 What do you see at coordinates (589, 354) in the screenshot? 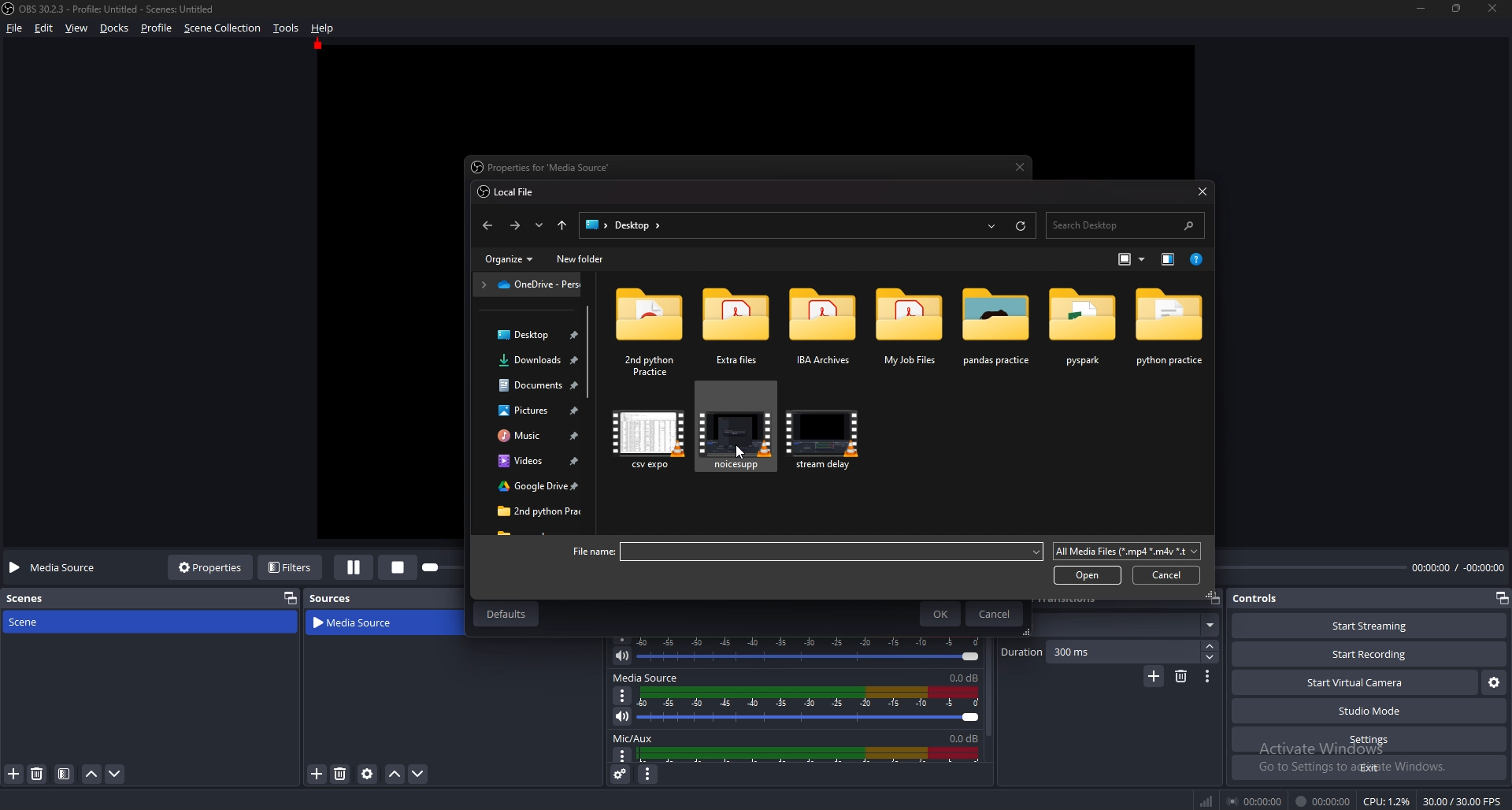
I see `Scroll bar` at bounding box center [589, 354].